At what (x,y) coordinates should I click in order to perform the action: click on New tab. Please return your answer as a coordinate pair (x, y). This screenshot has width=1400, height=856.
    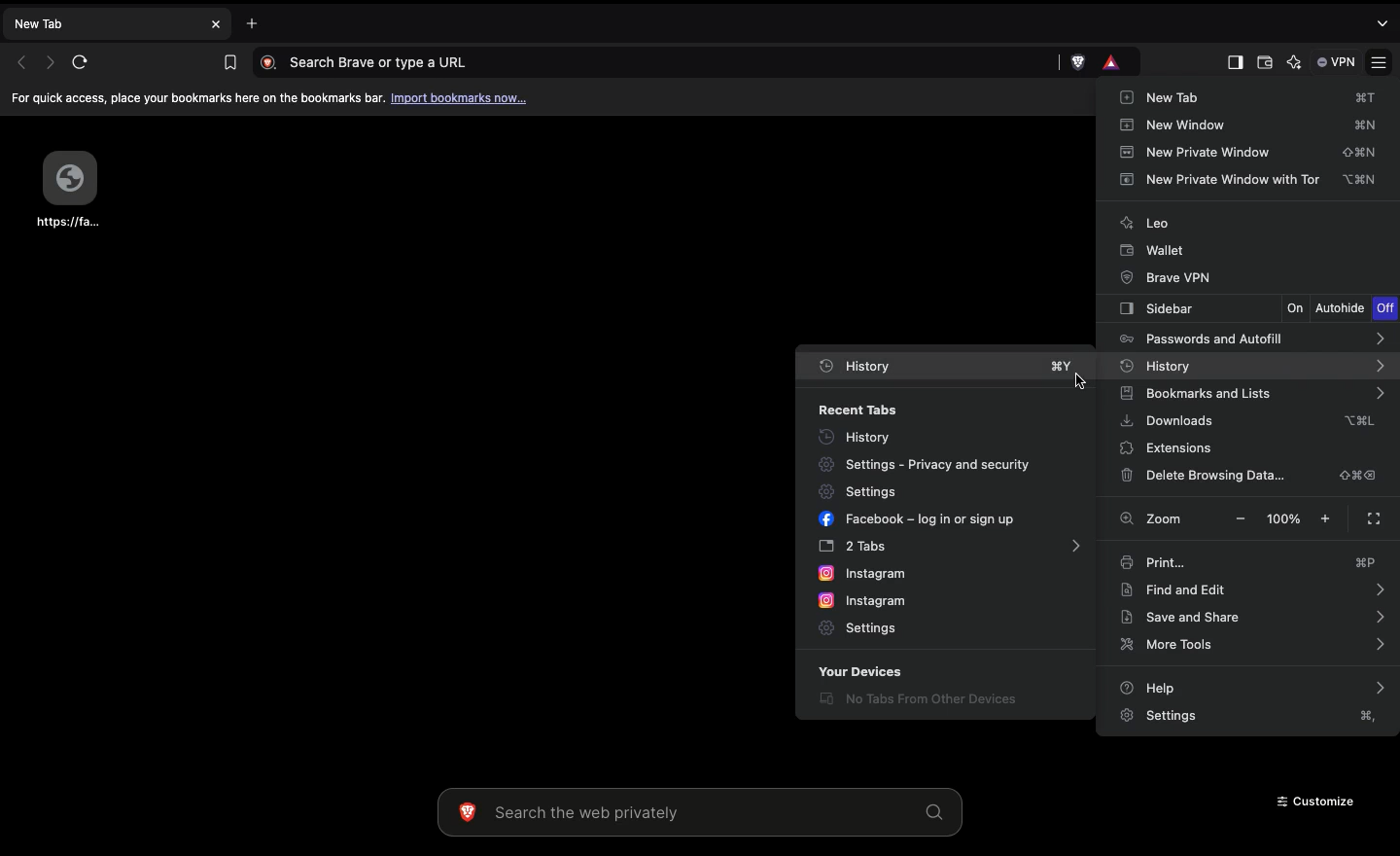
    Looking at the image, I should click on (116, 26).